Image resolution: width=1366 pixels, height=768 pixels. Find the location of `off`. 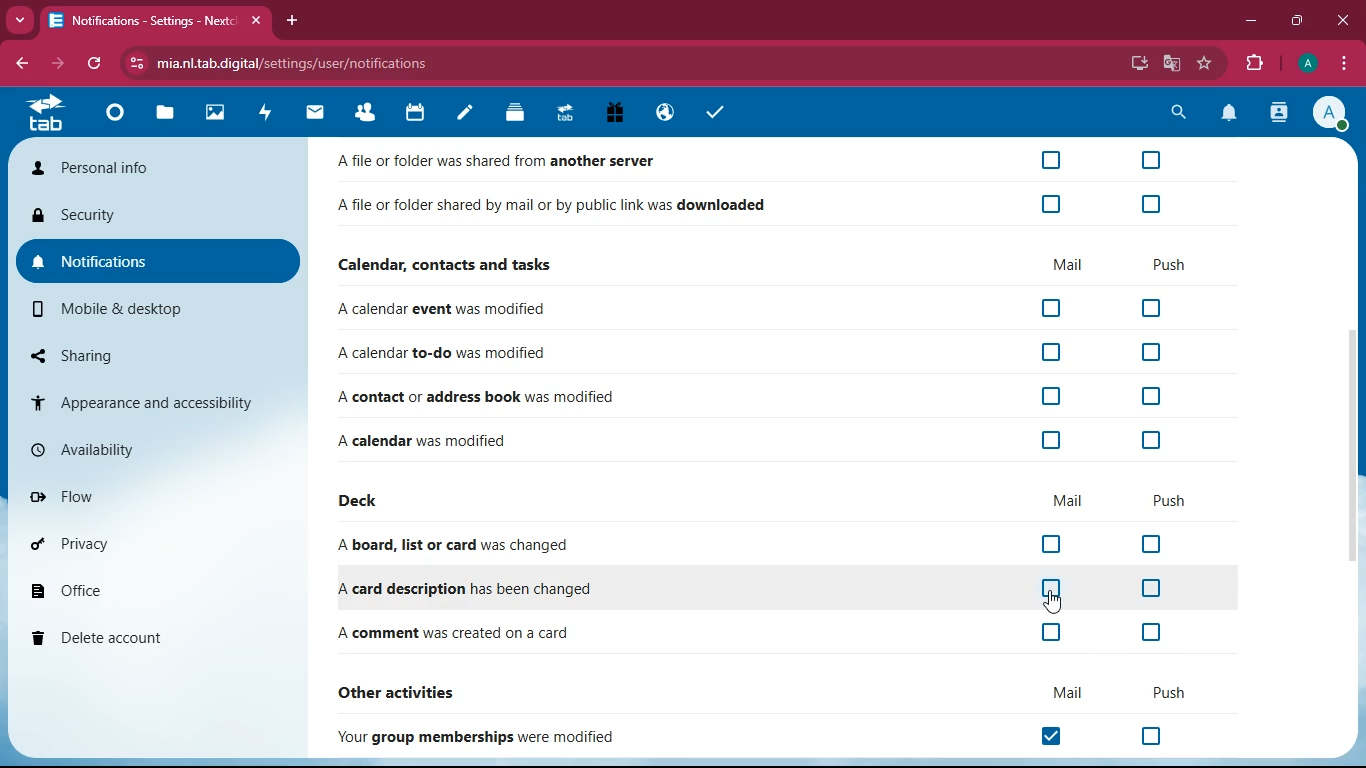

off is located at coordinates (1054, 205).